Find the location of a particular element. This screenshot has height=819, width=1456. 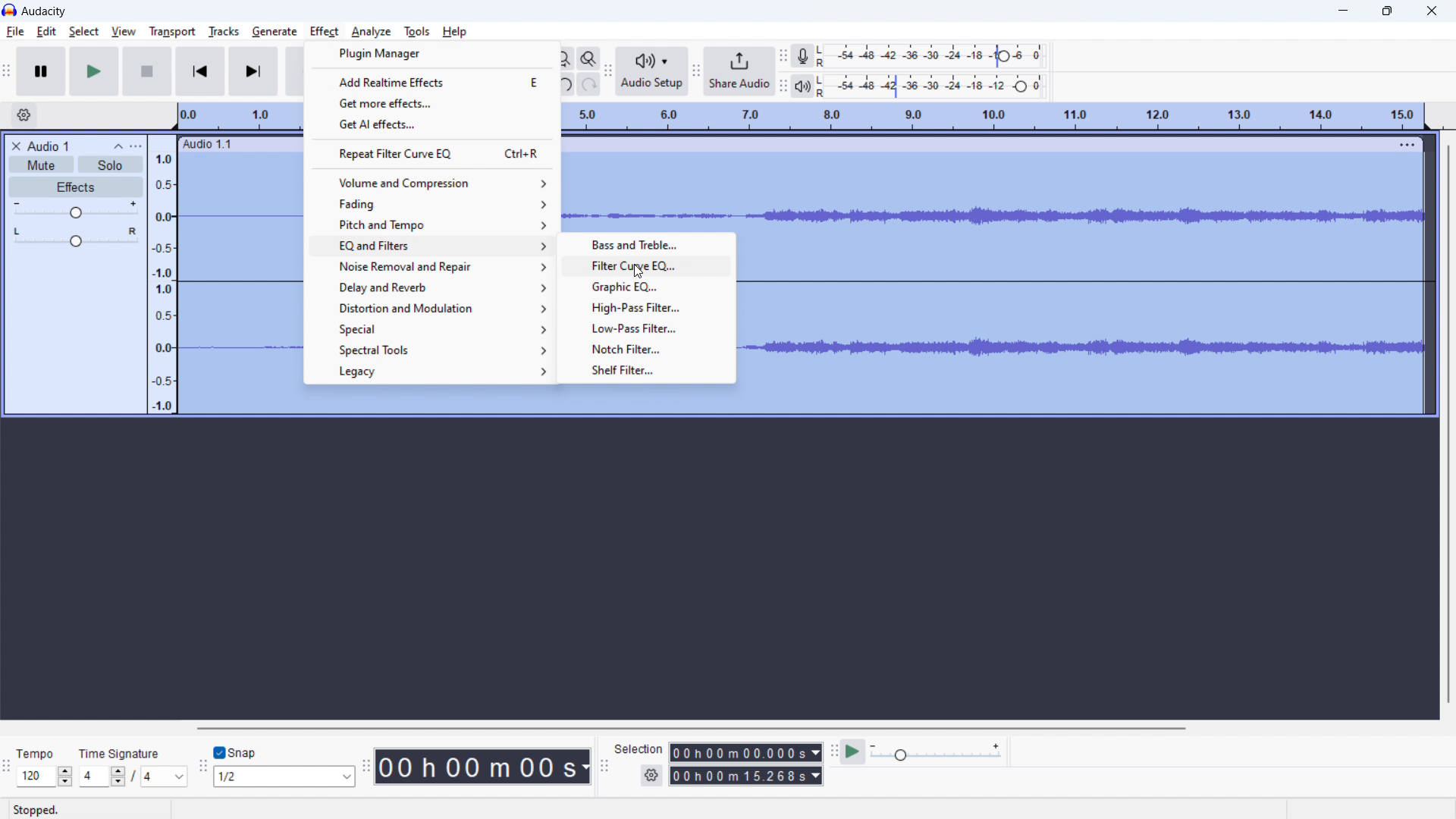

graphic EQ is located at coordinates (646, 286).